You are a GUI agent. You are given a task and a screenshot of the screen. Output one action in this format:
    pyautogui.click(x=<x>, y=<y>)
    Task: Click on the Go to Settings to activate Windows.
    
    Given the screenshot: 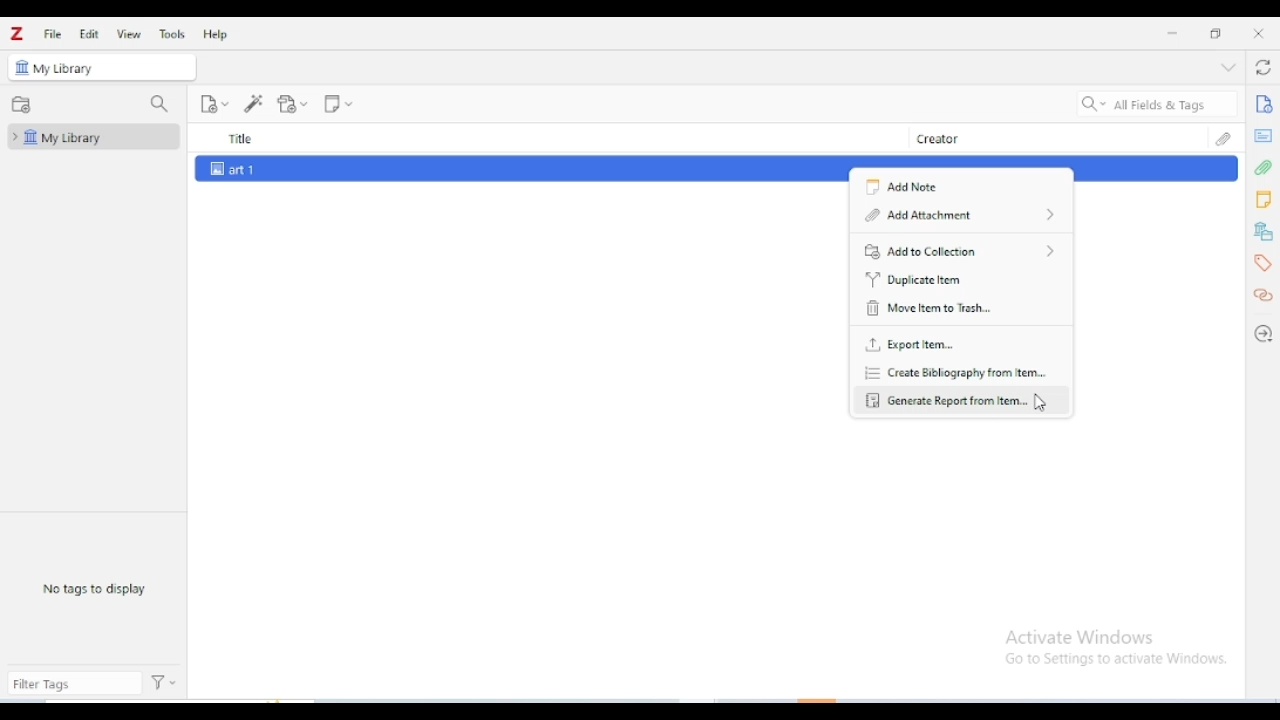 What is the action you would take?
    pyautogui.click(x=1119, y=660)
    